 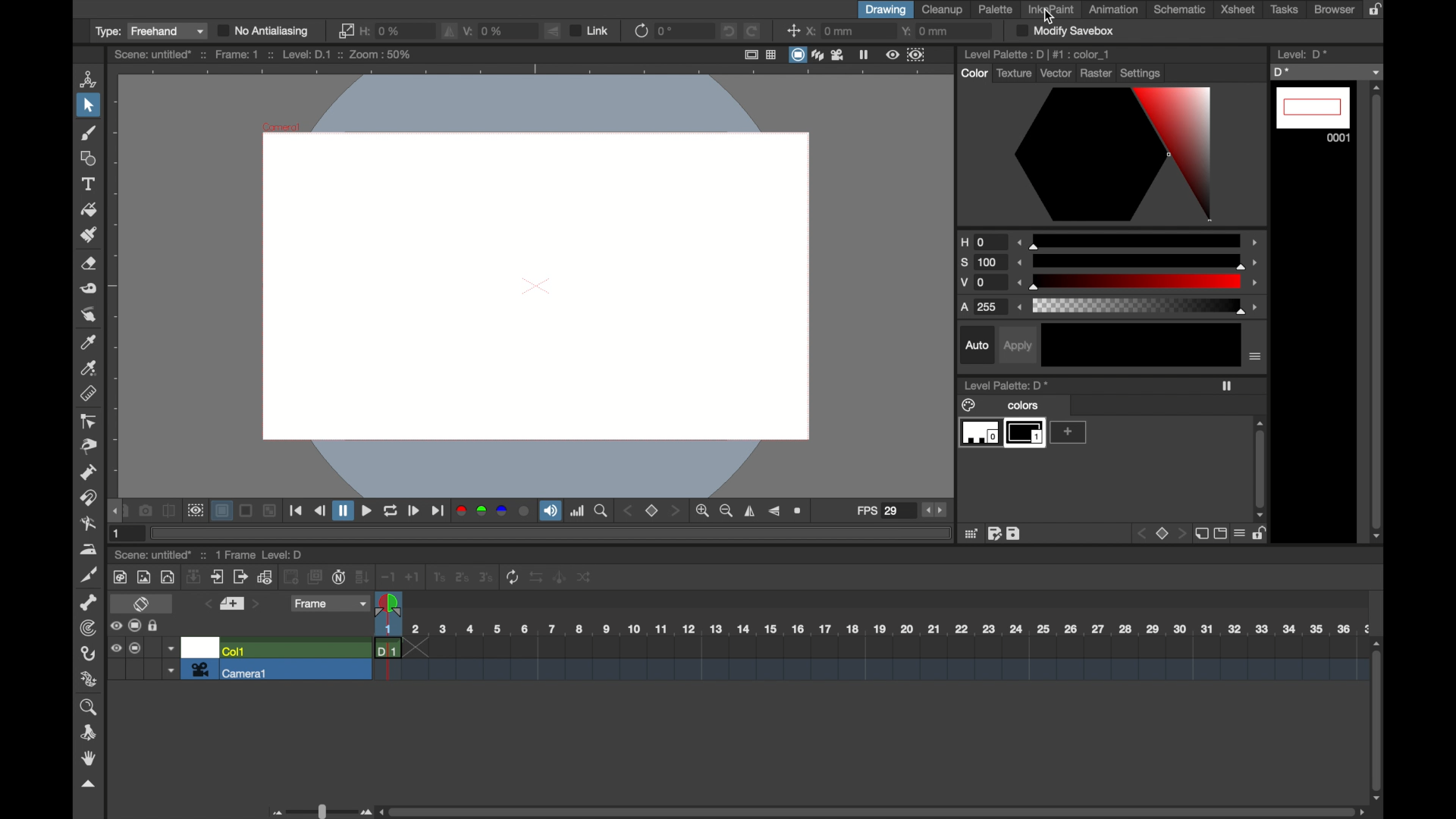 What do you see at coordinates (726, 511) in the screenshot?
I see `zoom out` at bounding box center [726, 511].